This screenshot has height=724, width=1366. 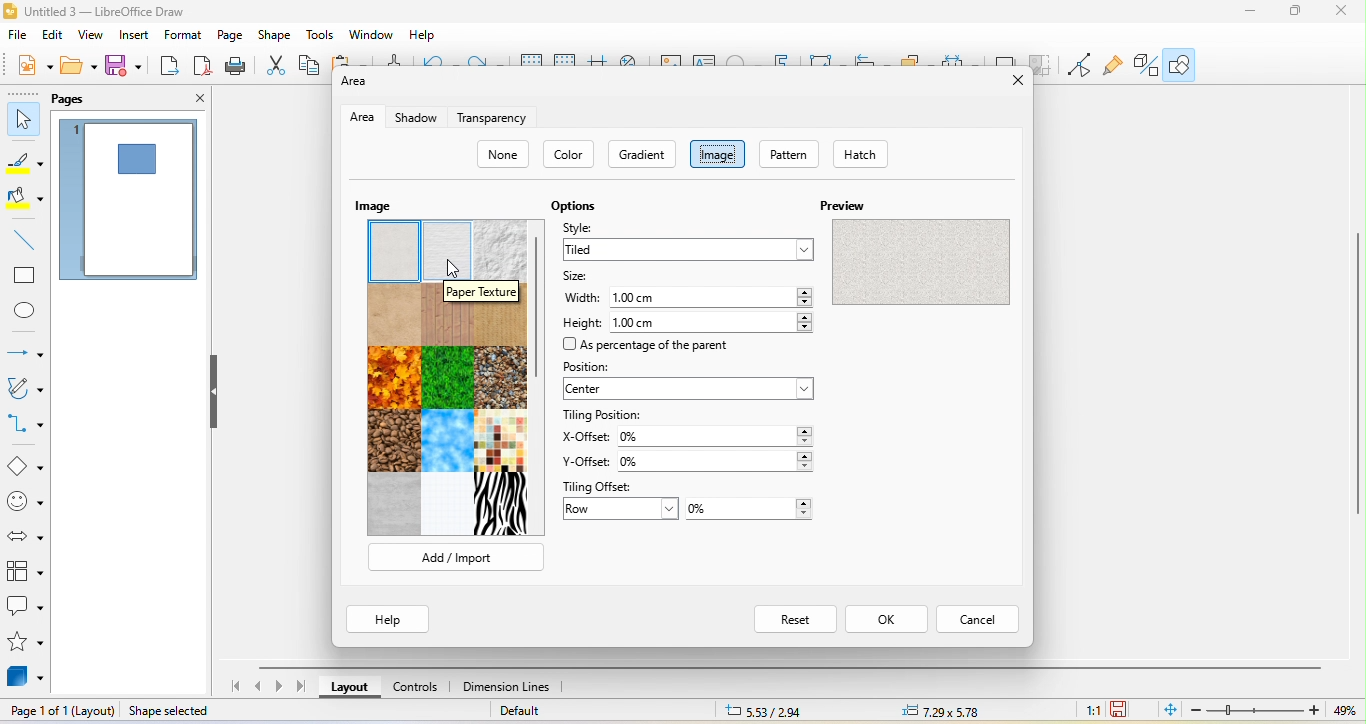 What do you see at coordinates (416, 118) in the screenshot?
I see `shadow` at bounding box center [416, 118].